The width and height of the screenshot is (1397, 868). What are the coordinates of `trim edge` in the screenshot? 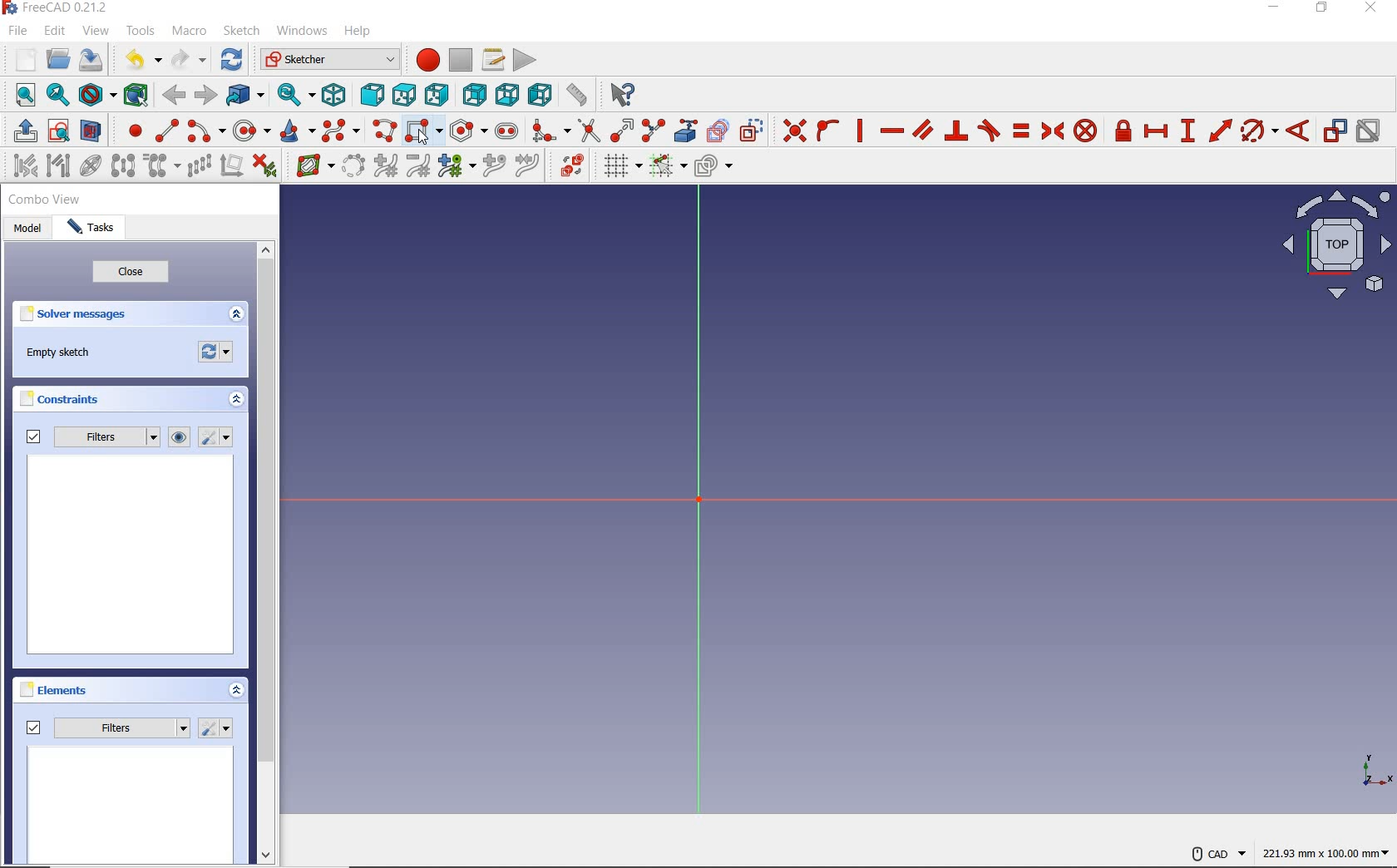 It's located at (588, 131).